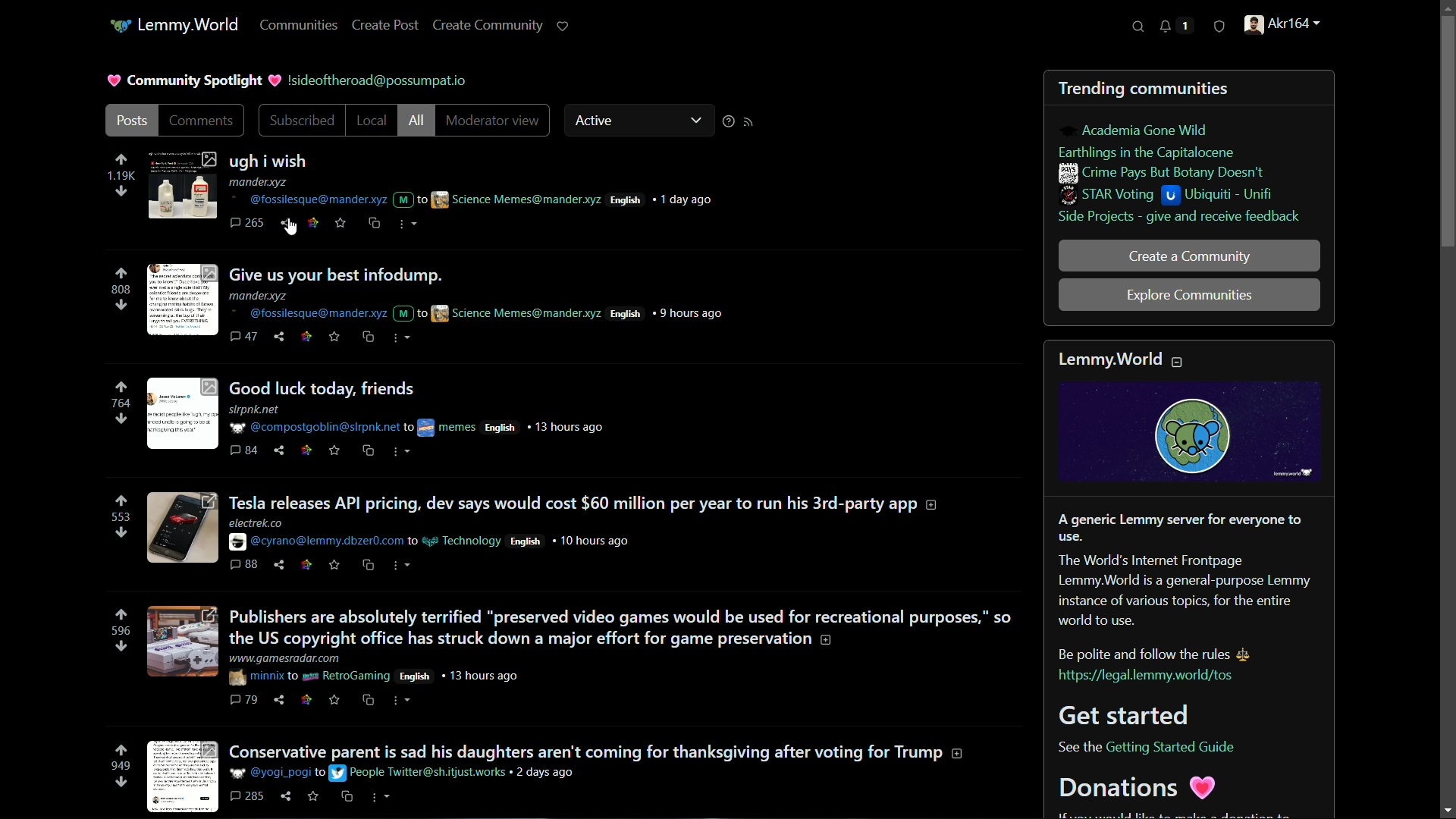 This screenshot has height=819, width=1456. What do you see at coordinates (134, 122) in the screenshot?
I see `posts` at bounding box center [134, 122].